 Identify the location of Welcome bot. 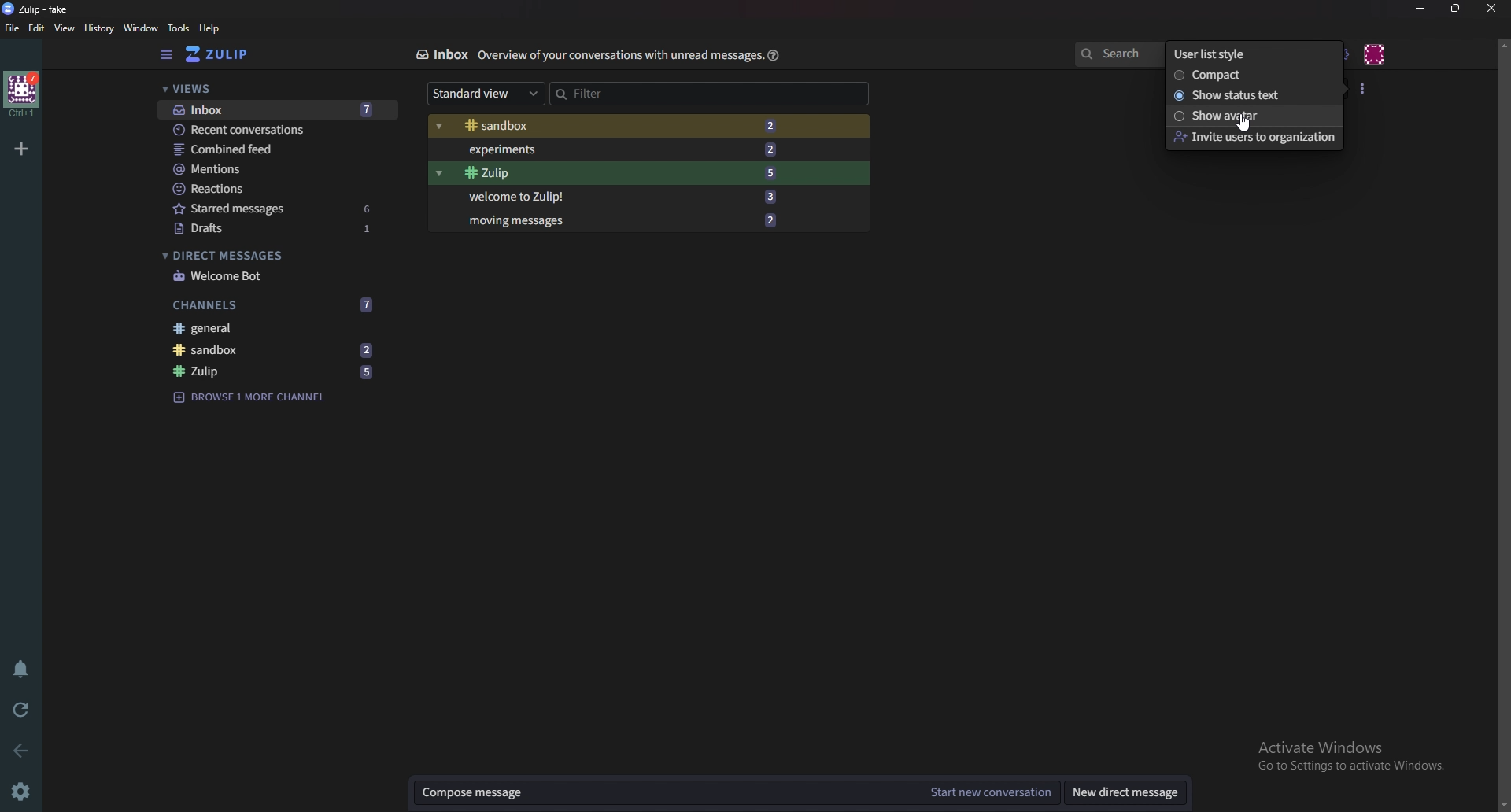
(272, 276).